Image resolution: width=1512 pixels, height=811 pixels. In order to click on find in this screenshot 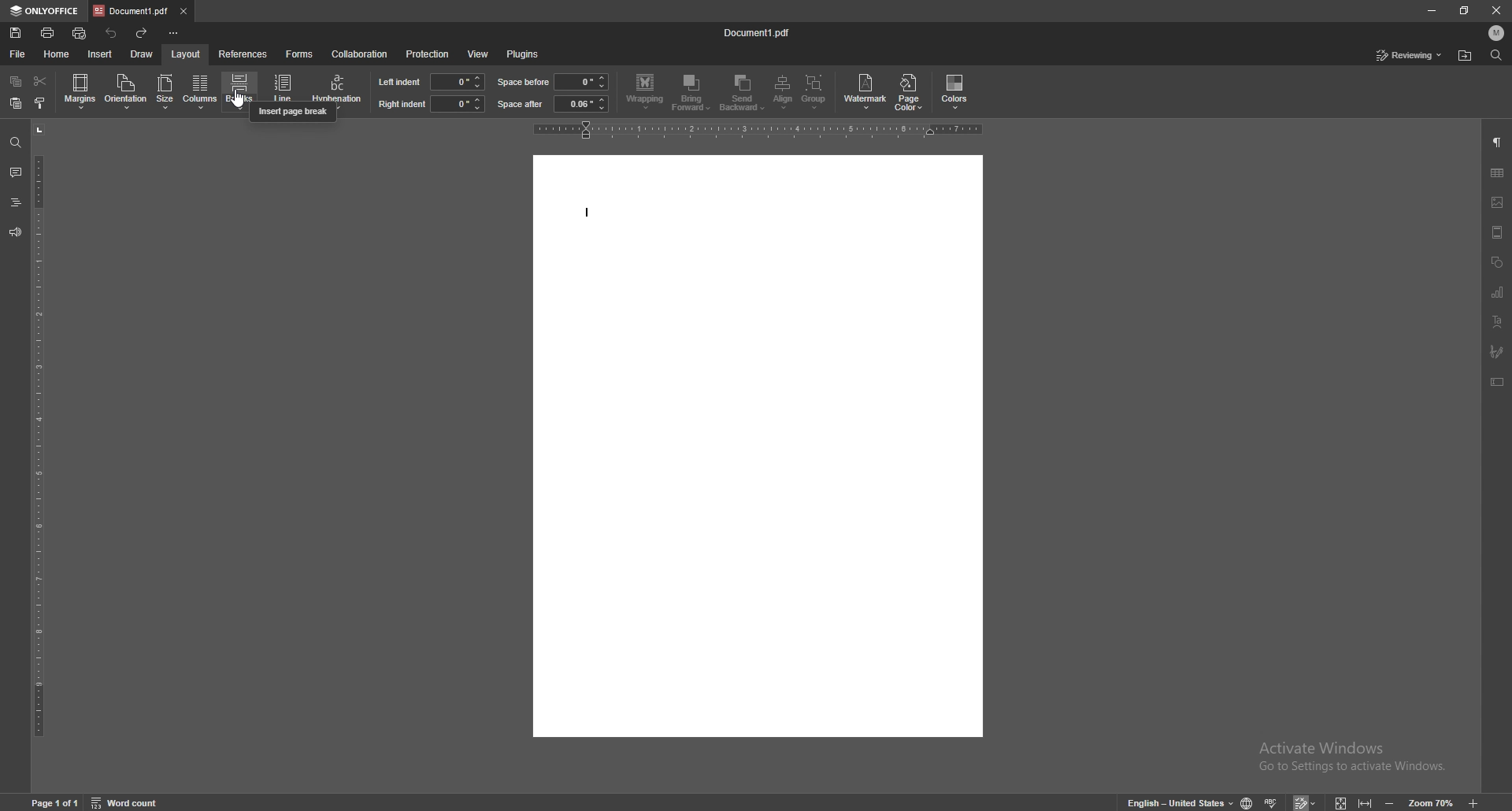, I will do `click(1497, 54)`.